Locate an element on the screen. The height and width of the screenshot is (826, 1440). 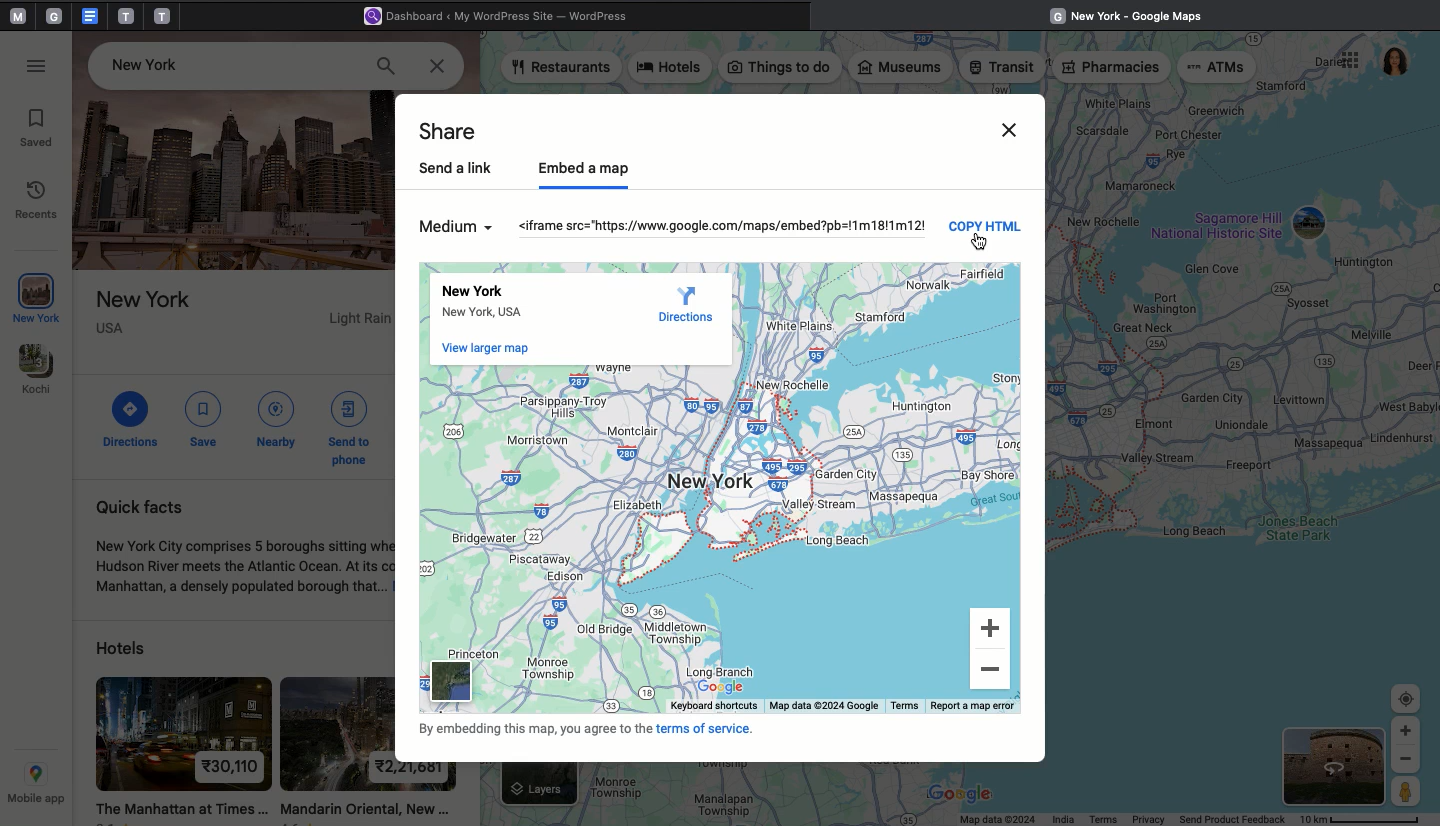
Hotels is located at coordinates (673, 70).